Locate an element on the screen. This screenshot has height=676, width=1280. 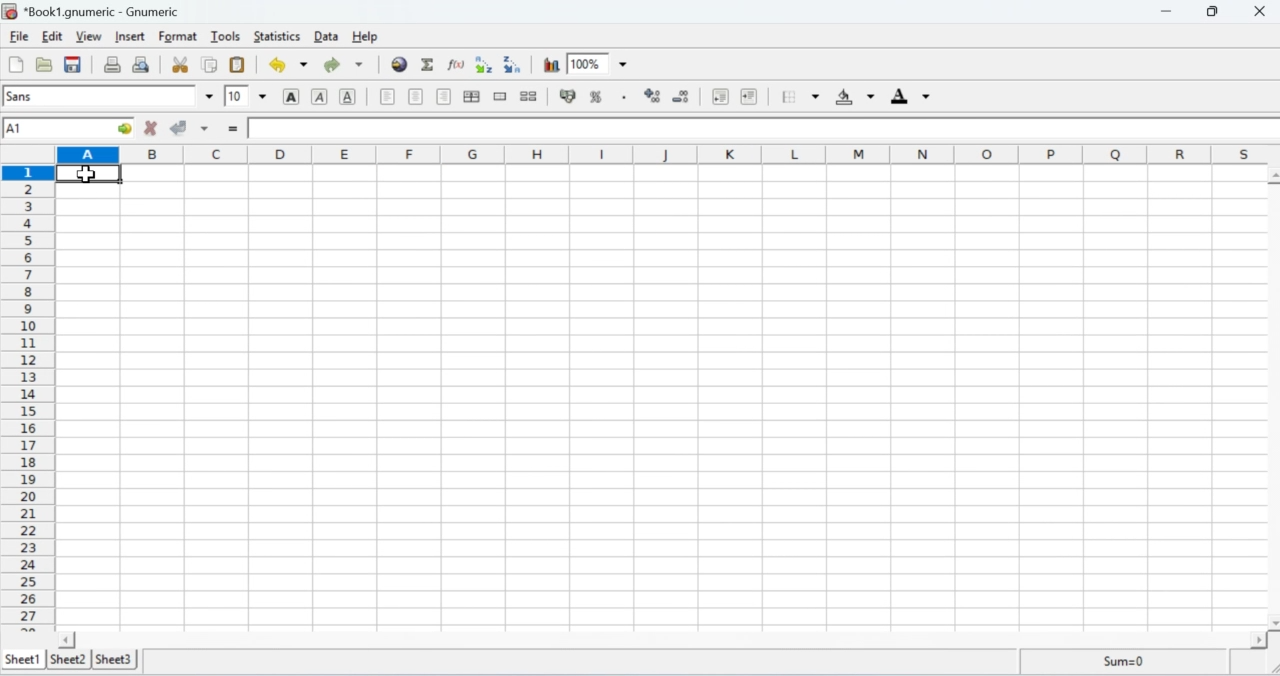
go to is located at coordinates (117, 130).